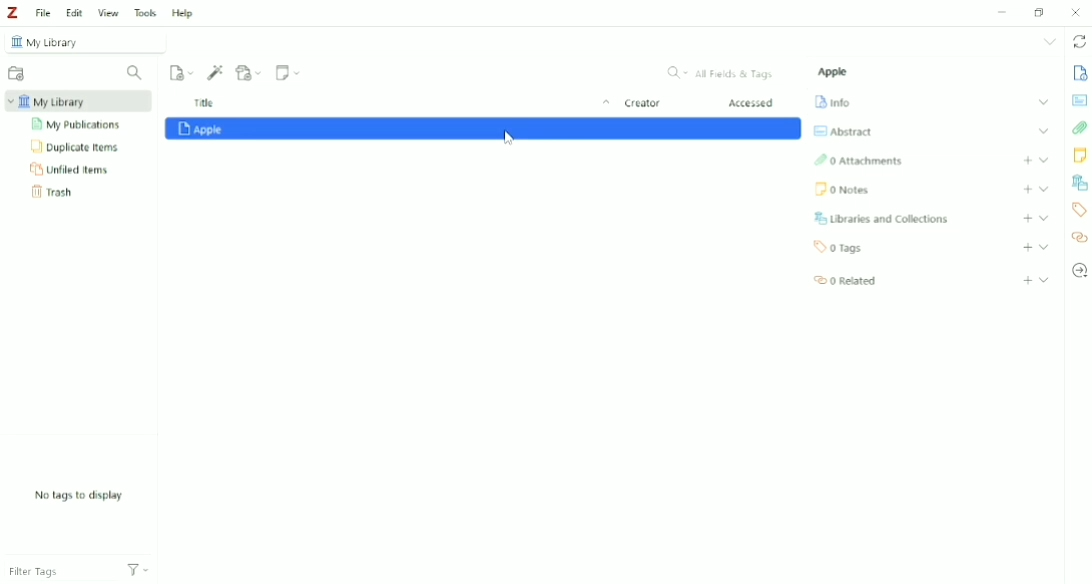  Describe the element at coordinates (136, 73) in the screenshot. I see `Filter Collections` at that location.